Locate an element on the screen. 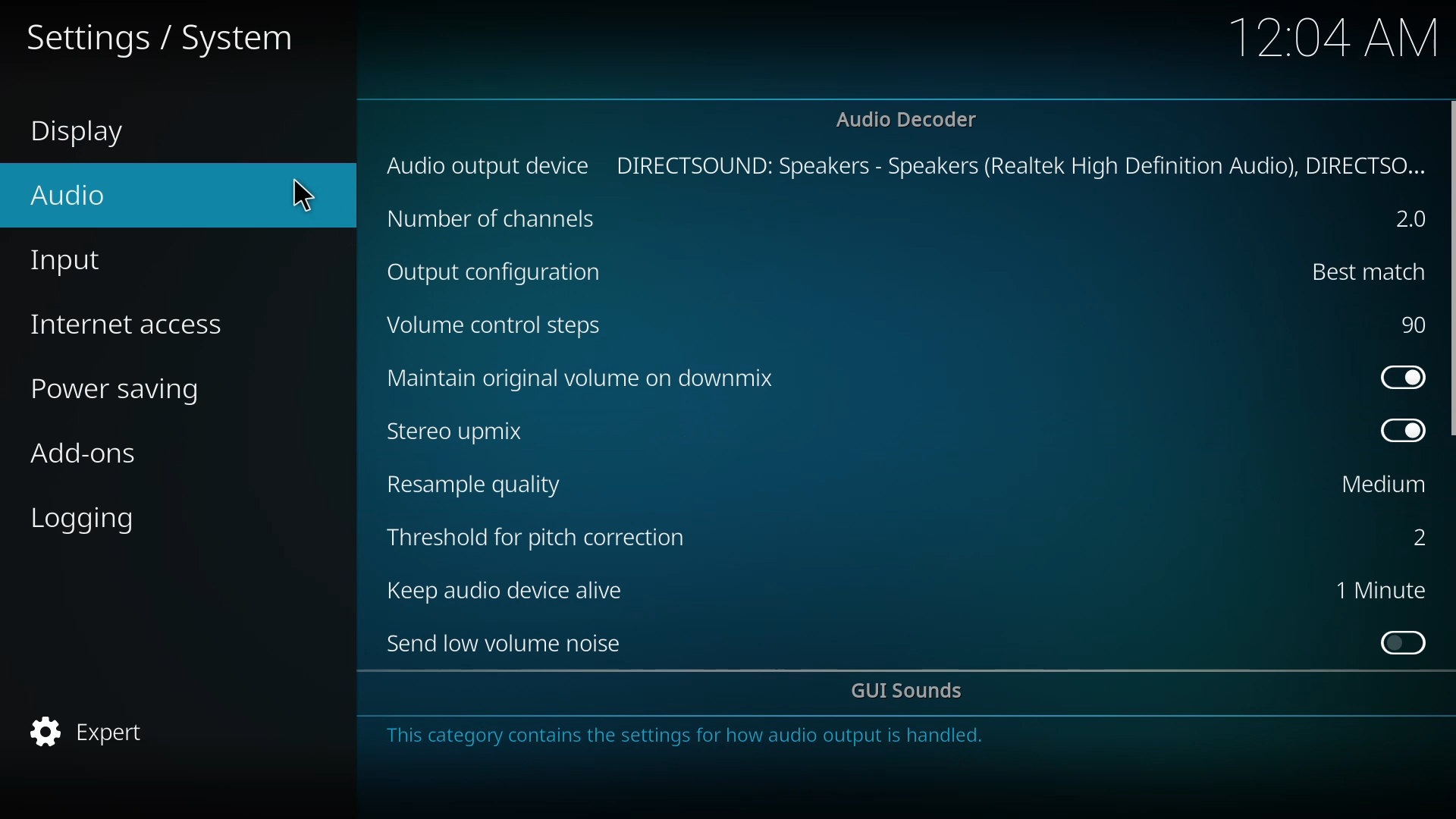 The height and width of the screenshot is (819, 1456). 90 is located at coordinates (1414, 322).